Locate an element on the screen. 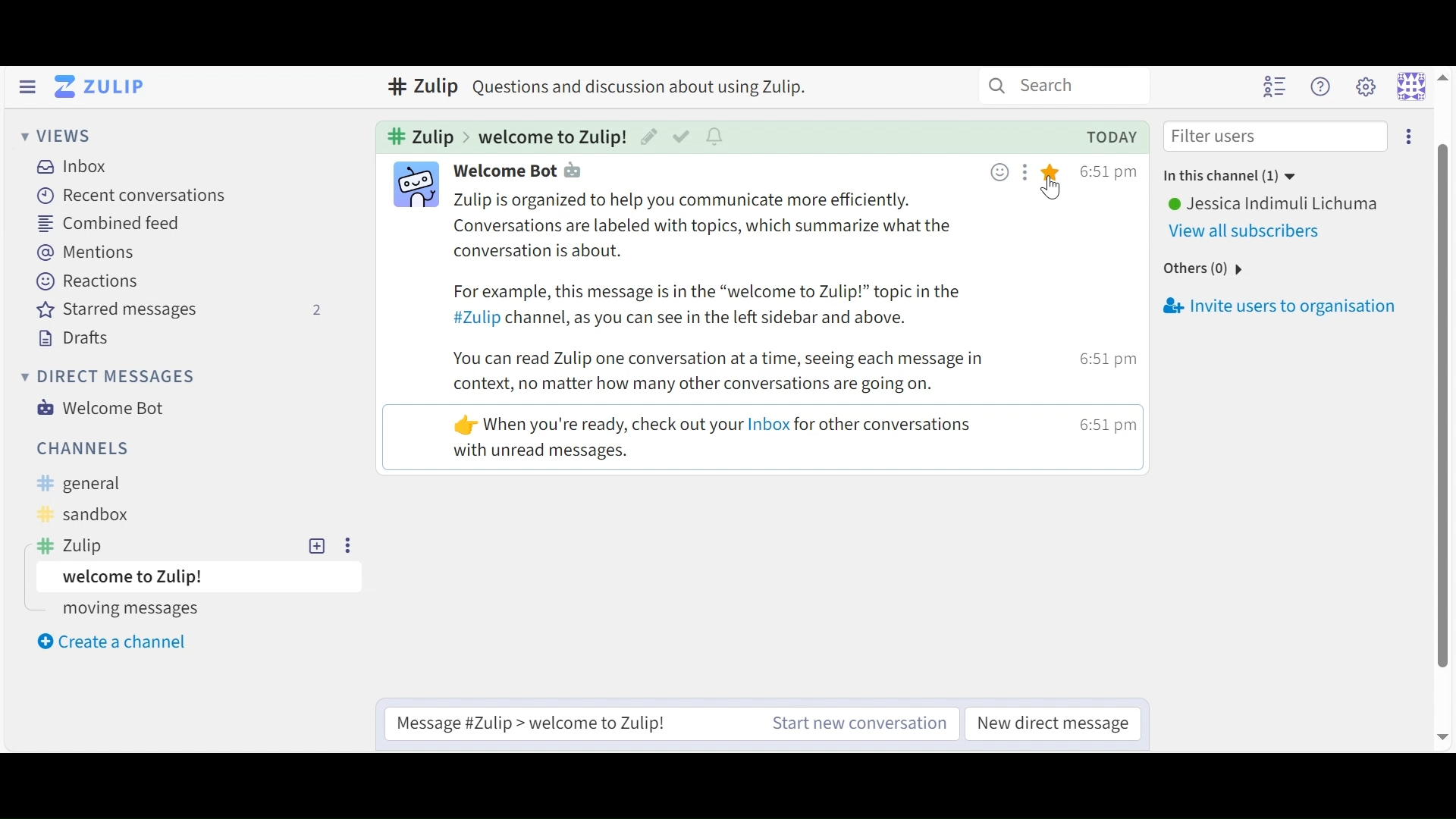 Image resolution: width=1456 pixels, height=819 pixels. Go to Home (Imbox) is located at coordinates (99, 86).